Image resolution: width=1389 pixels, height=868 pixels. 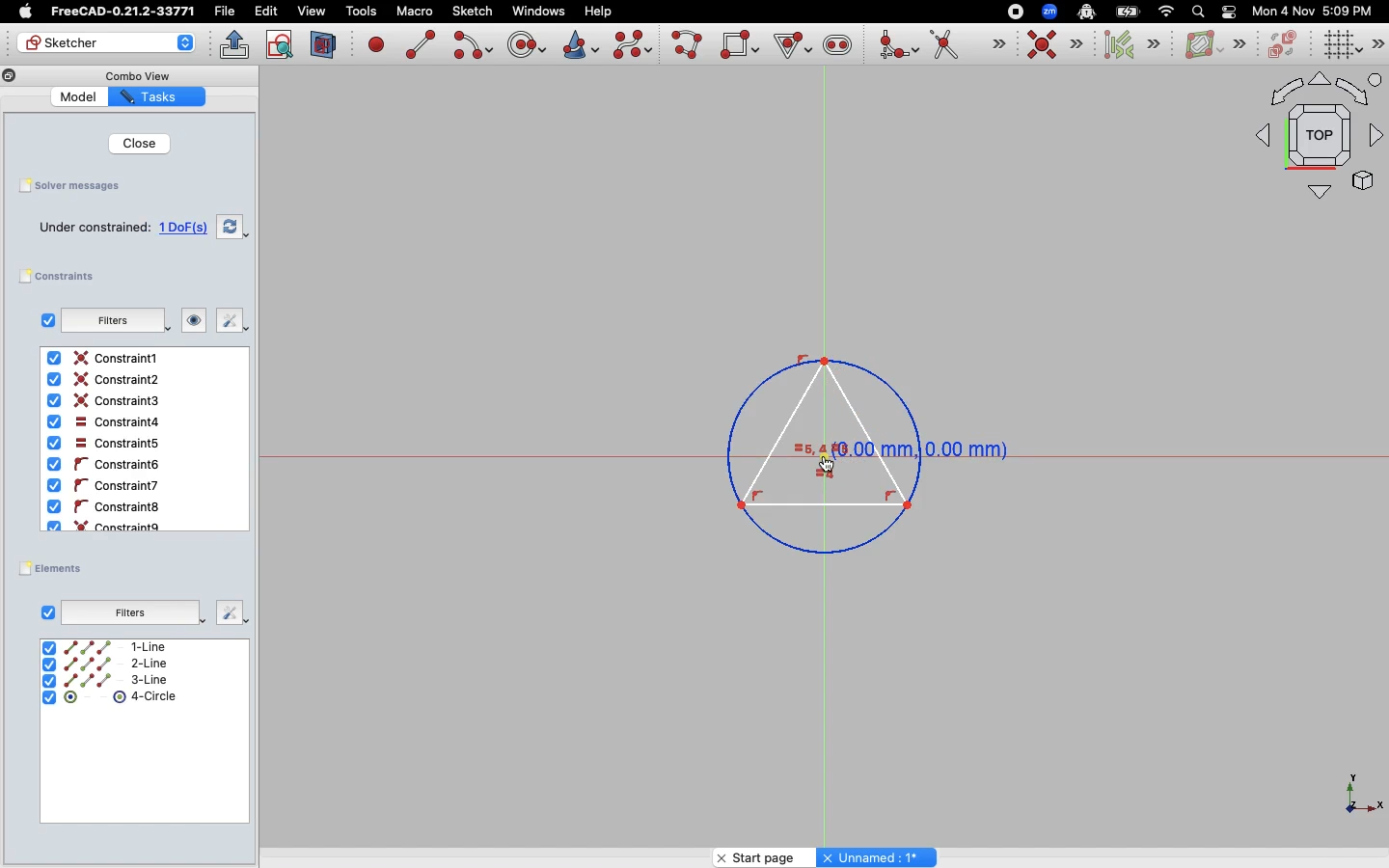 I want to click on Tasks, so click(x=158, y=97).